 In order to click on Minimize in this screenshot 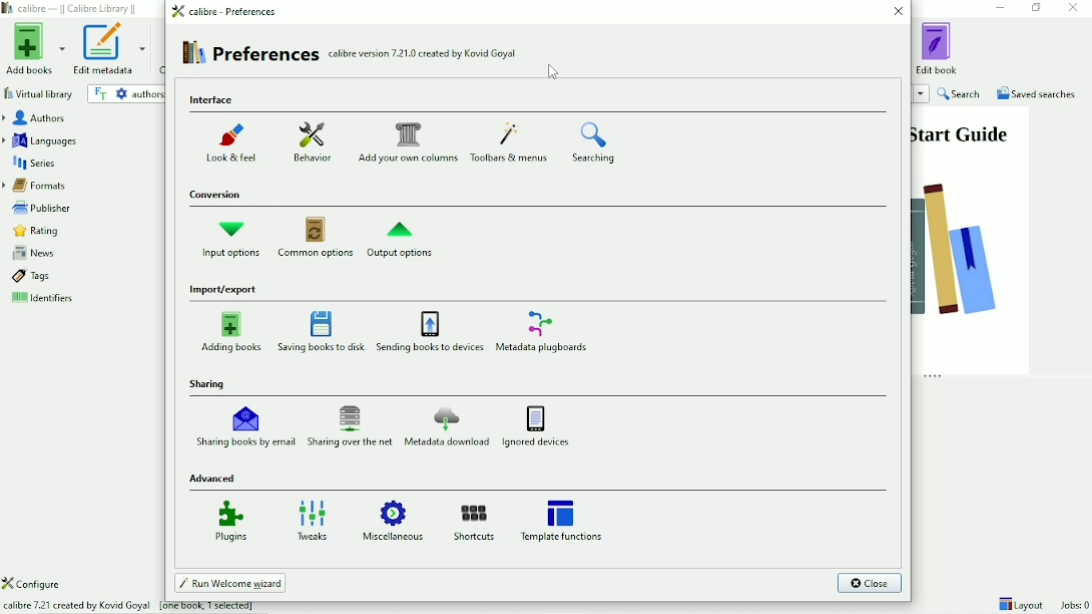, I will do `click(1003, 7)`.